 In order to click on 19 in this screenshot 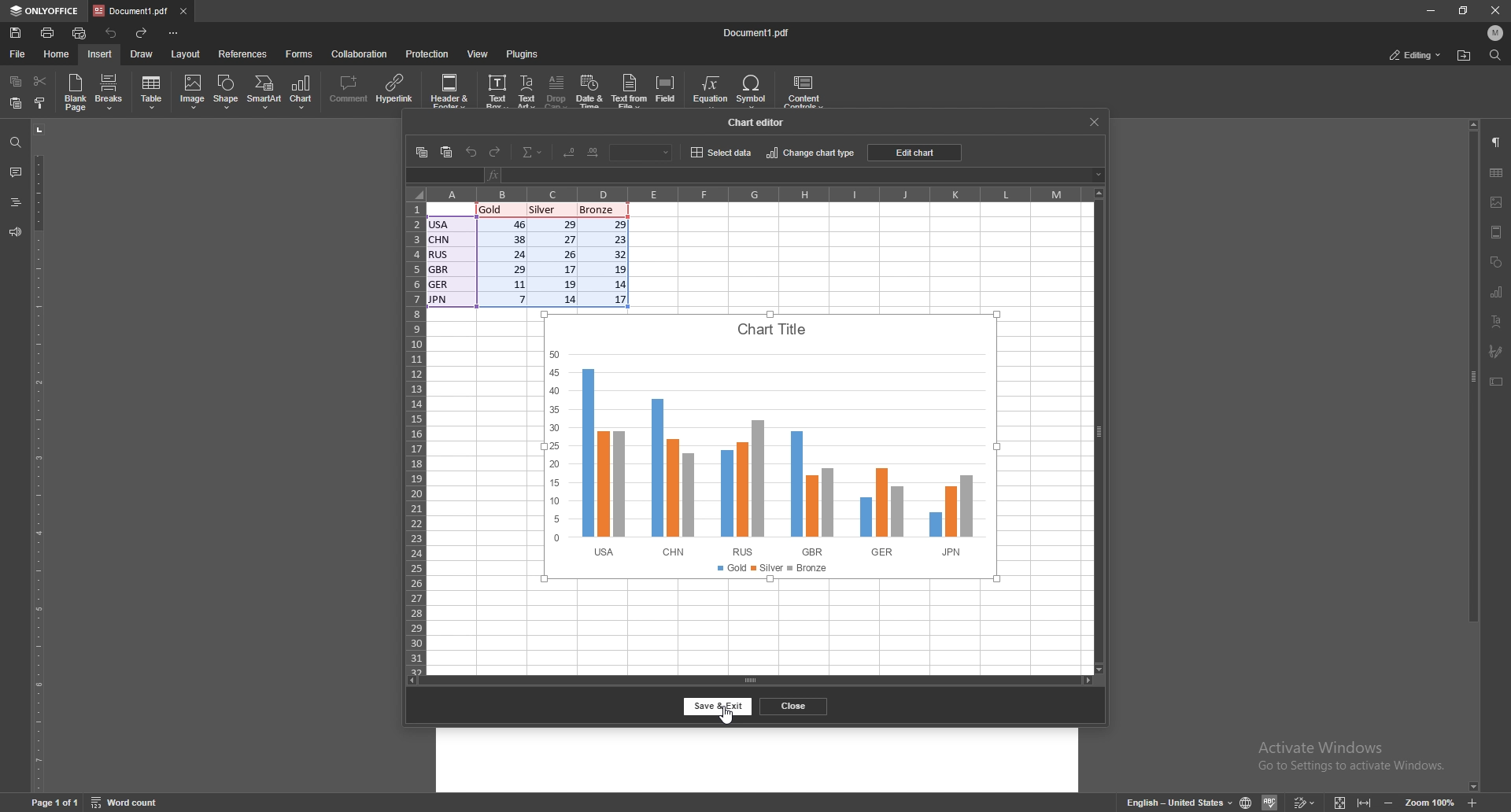, I will do `click(565, 283)`.